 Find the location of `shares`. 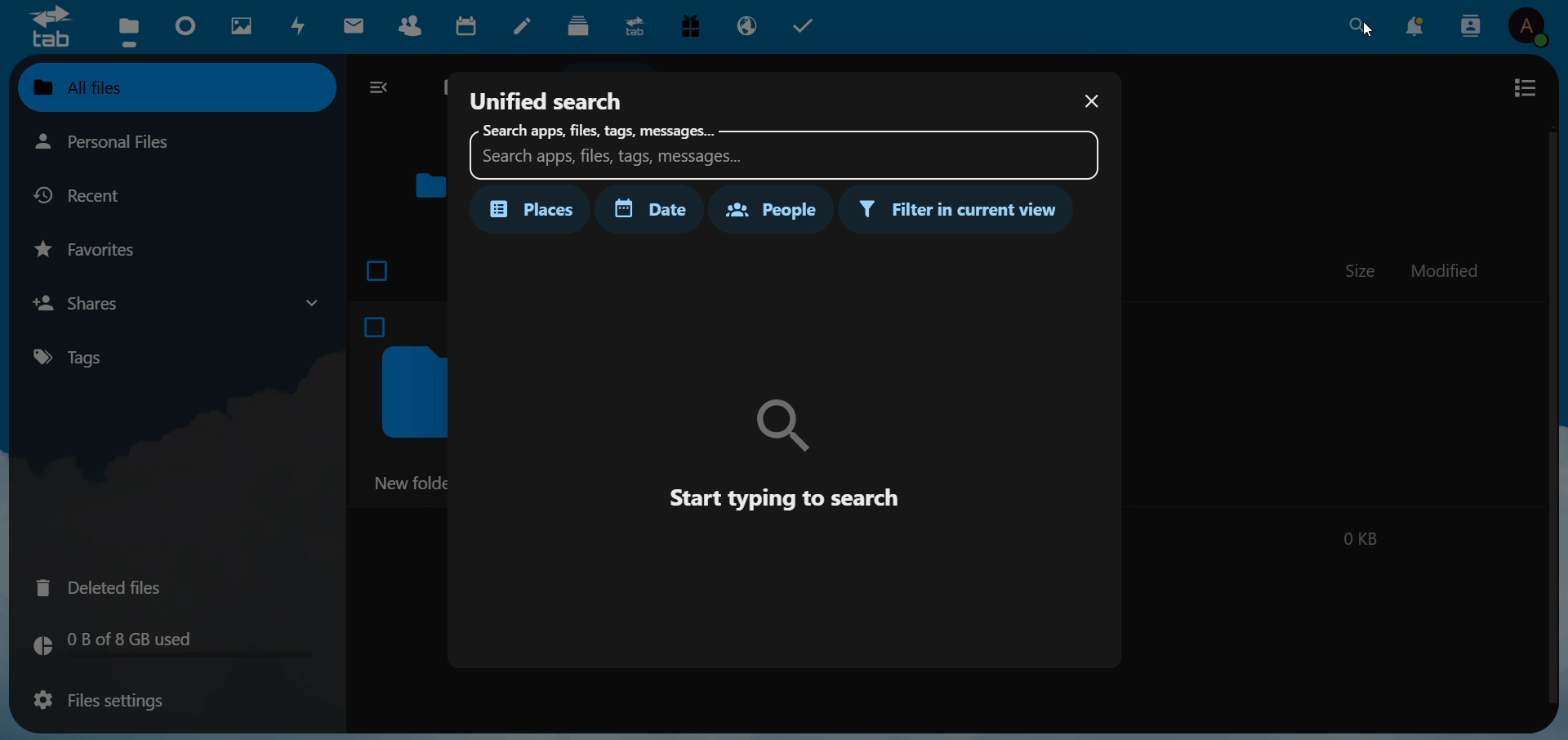

shares is located at coordinates (175, 302).